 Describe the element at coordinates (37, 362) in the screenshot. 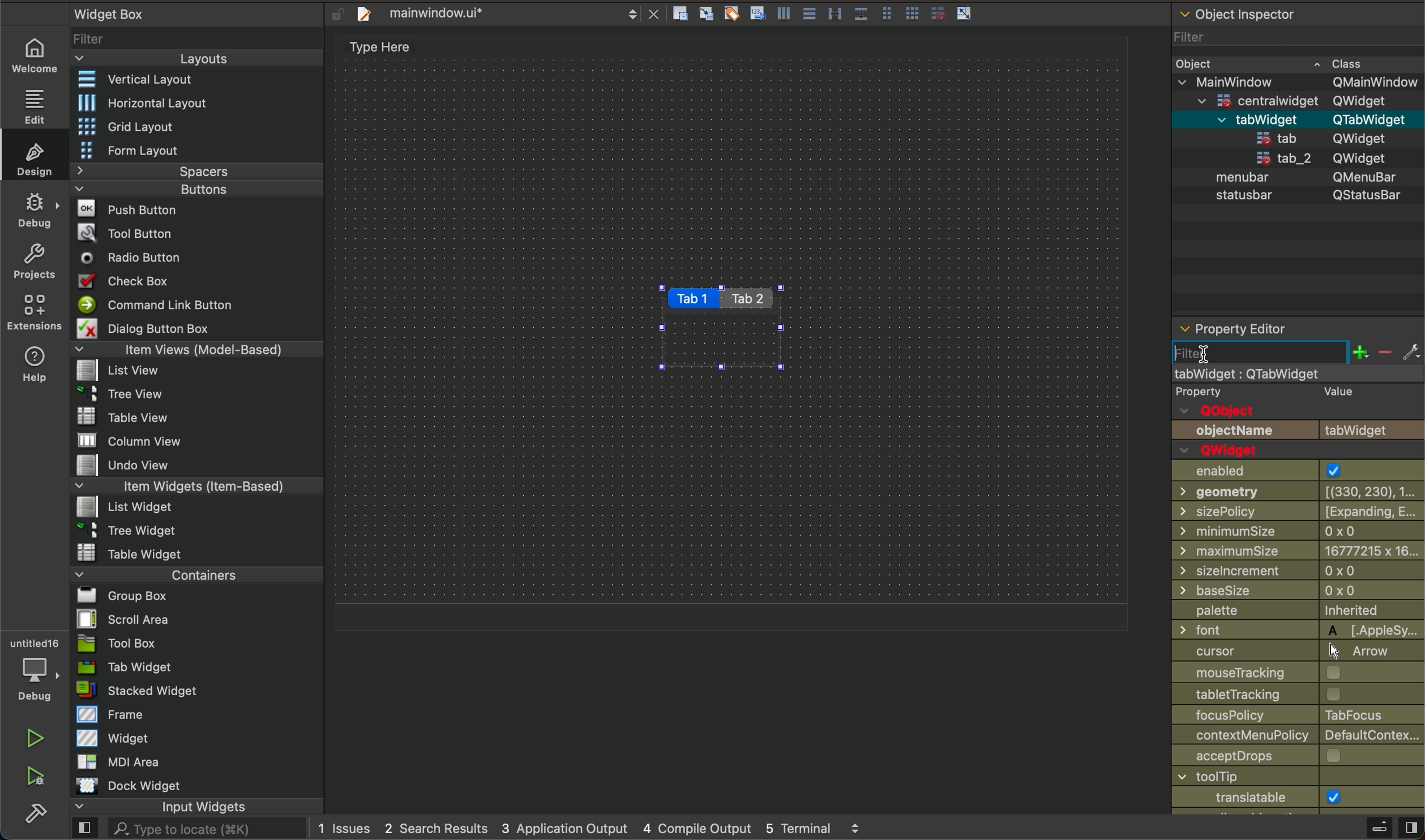

I see `help` at that location.